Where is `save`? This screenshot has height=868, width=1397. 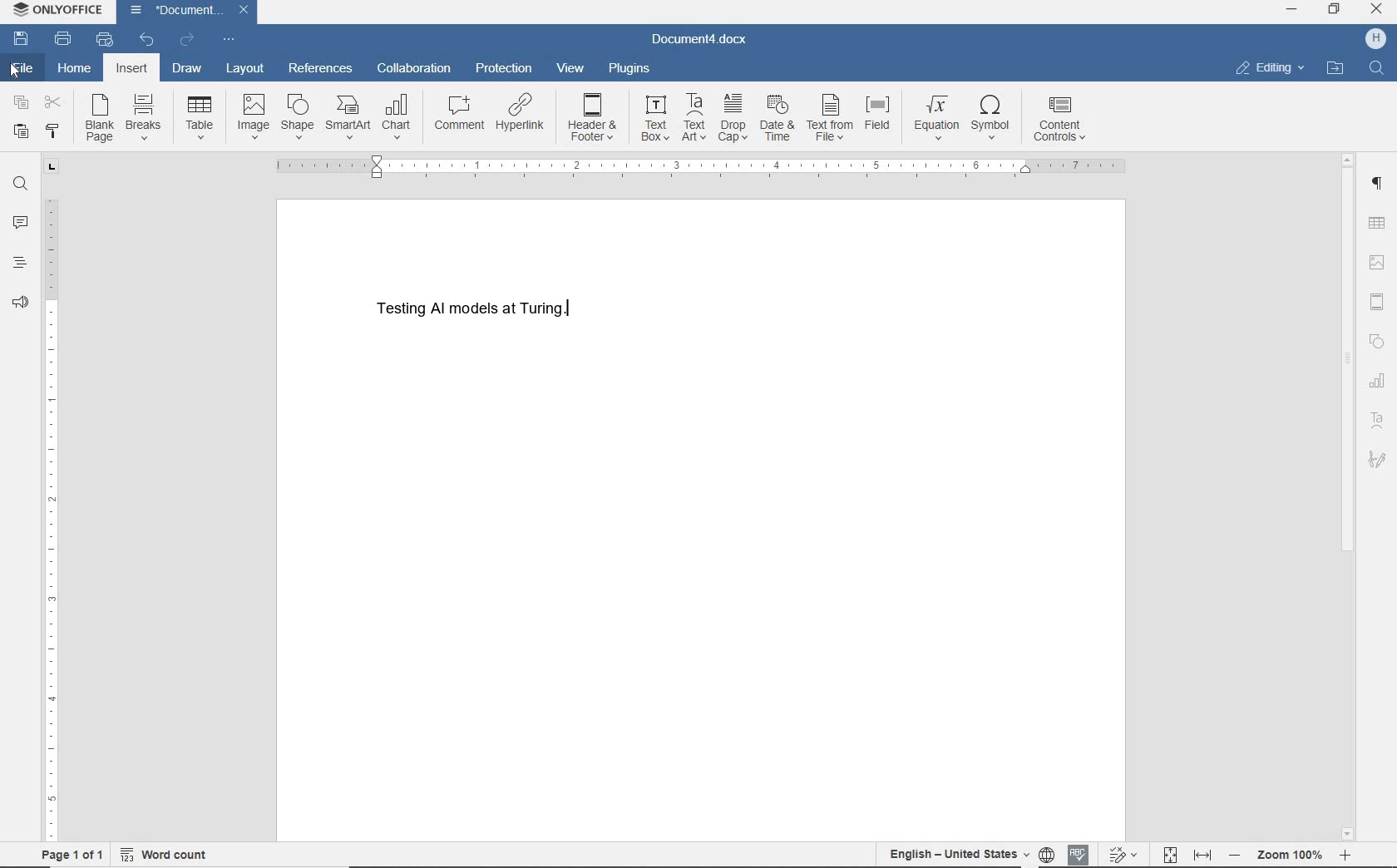 save is located at coordinates (19, 40).